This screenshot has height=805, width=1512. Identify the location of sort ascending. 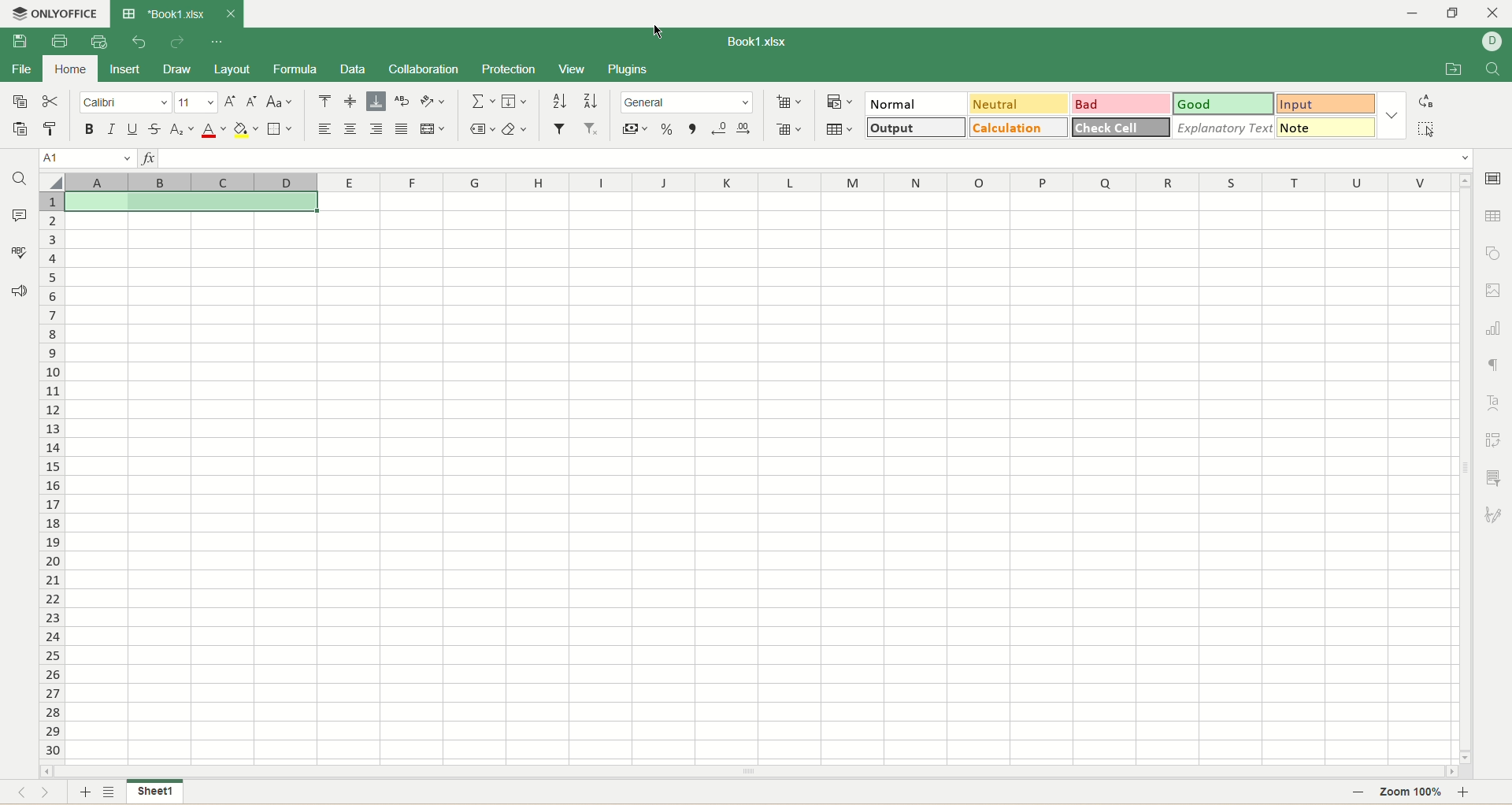
(559, 101).